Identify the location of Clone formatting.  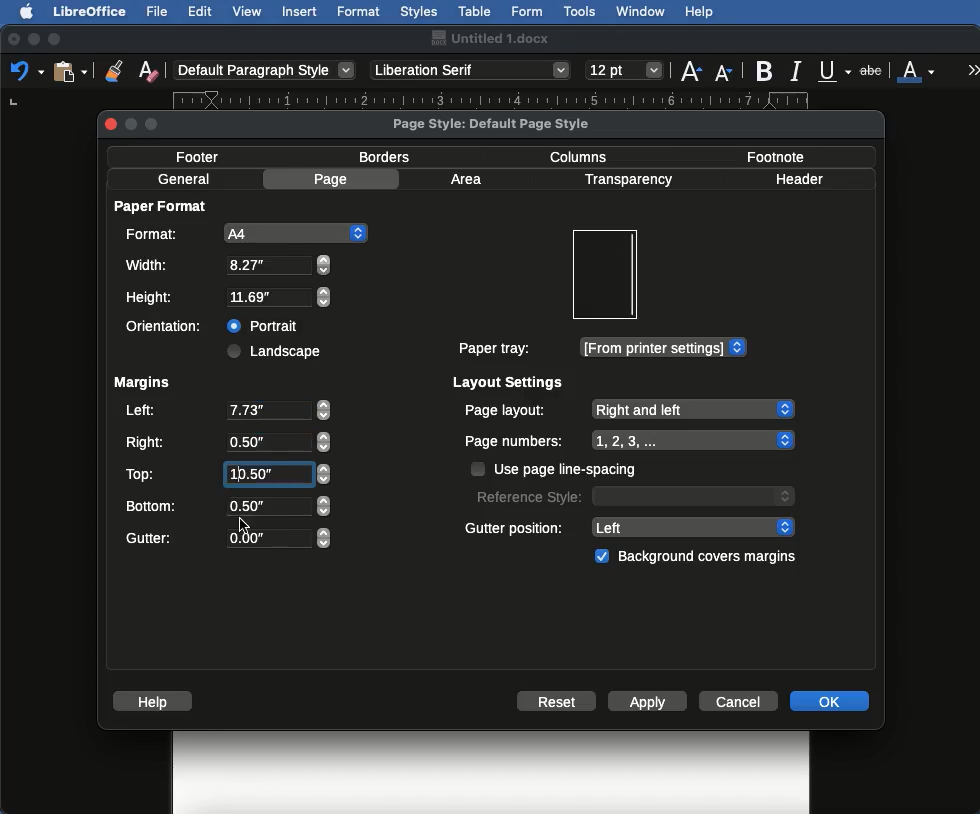
(114, 70).